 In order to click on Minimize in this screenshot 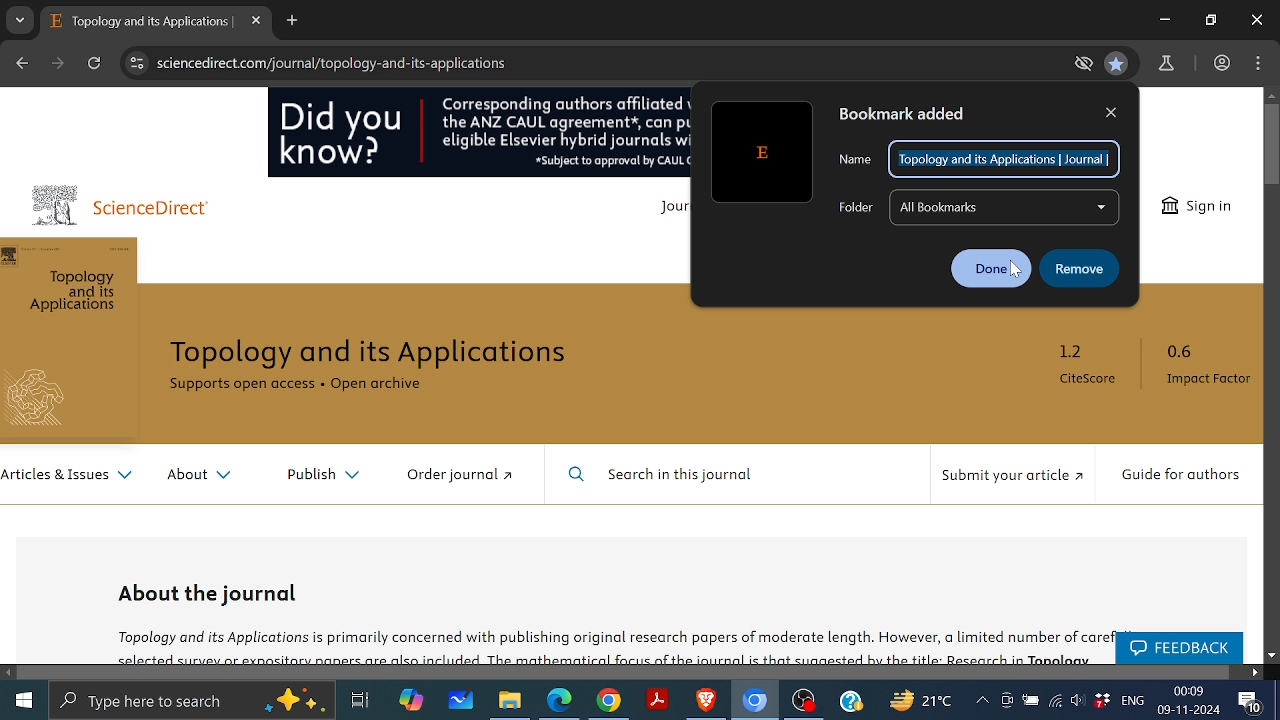, I will do `click(1164, 19)`.